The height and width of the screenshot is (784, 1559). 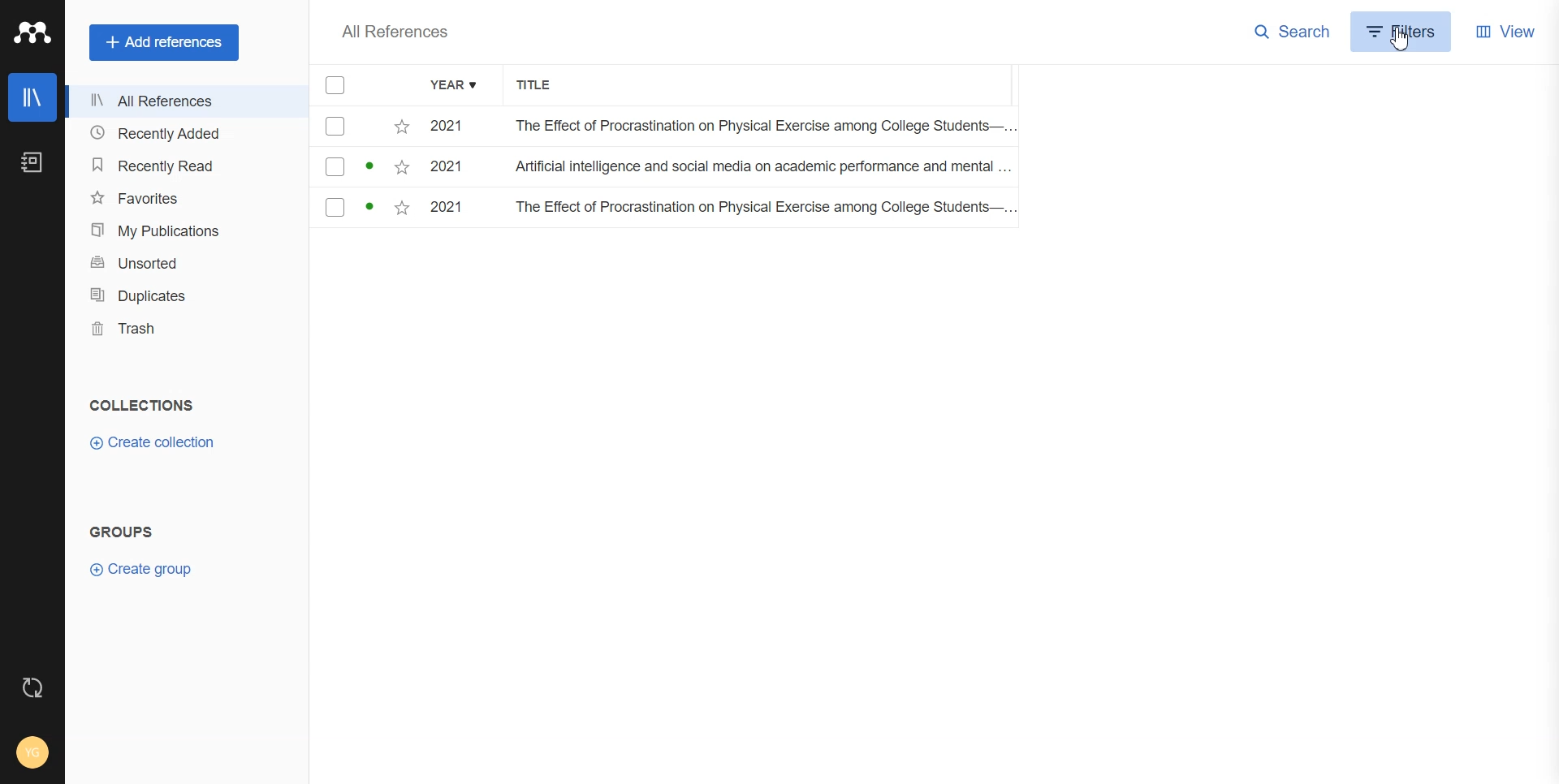 What do you see at coordinates (32, 33) in the screenshot?
I see `Logo` at bounding box center [32, 33].